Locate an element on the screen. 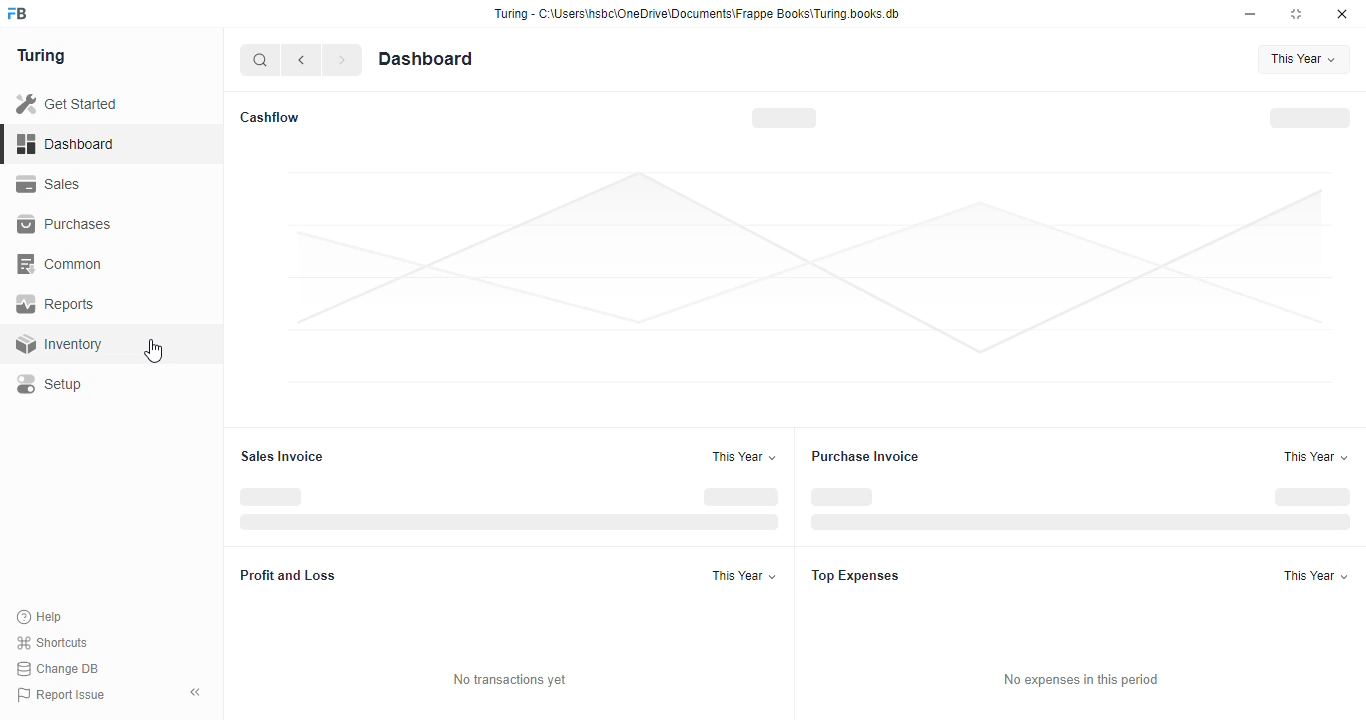 This screenshot has width=1366, height=720. no expenses in this period is located at coordinates (1082, 680).